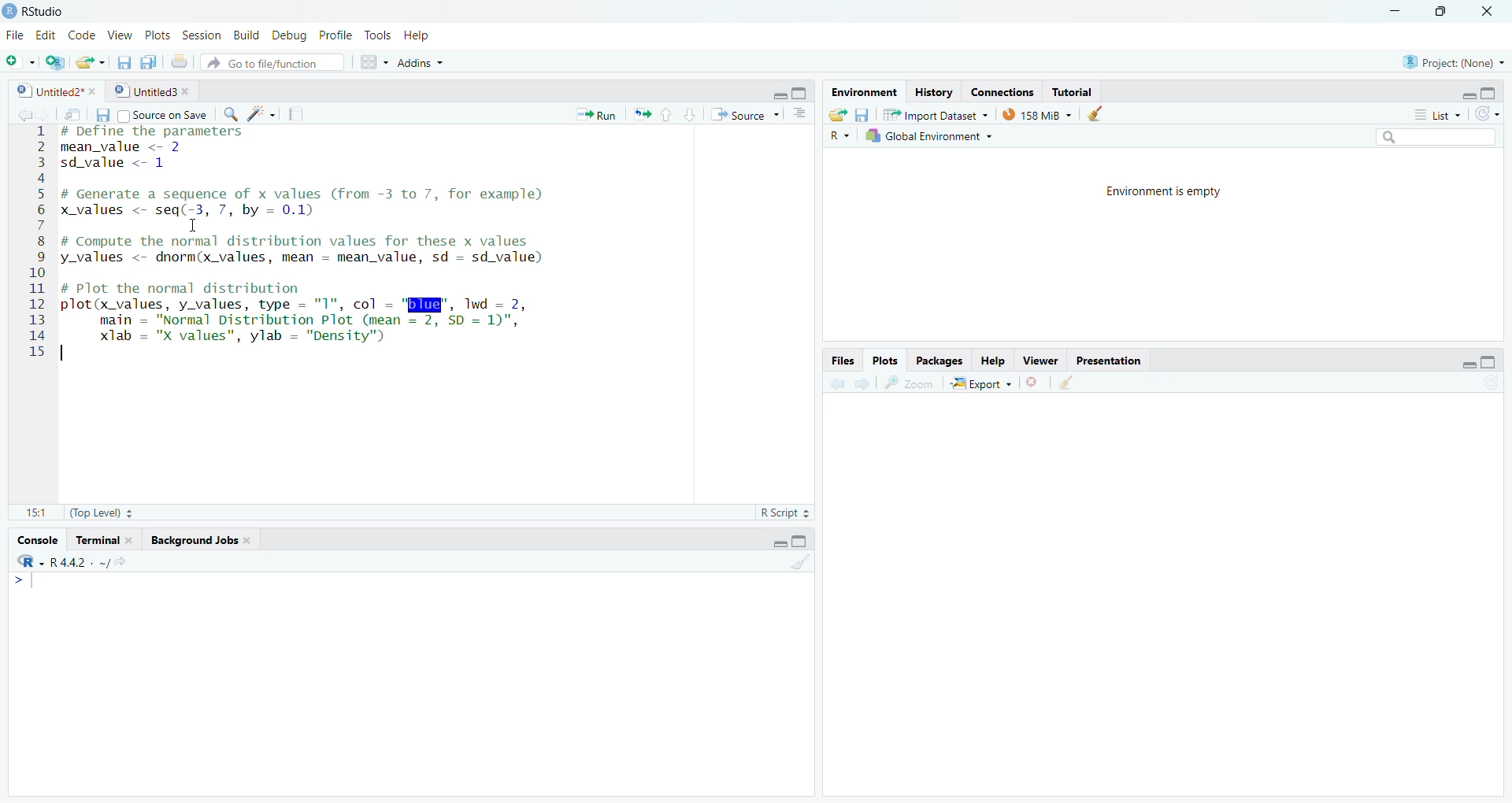  I want to click on © List +, so click(1437, 113).